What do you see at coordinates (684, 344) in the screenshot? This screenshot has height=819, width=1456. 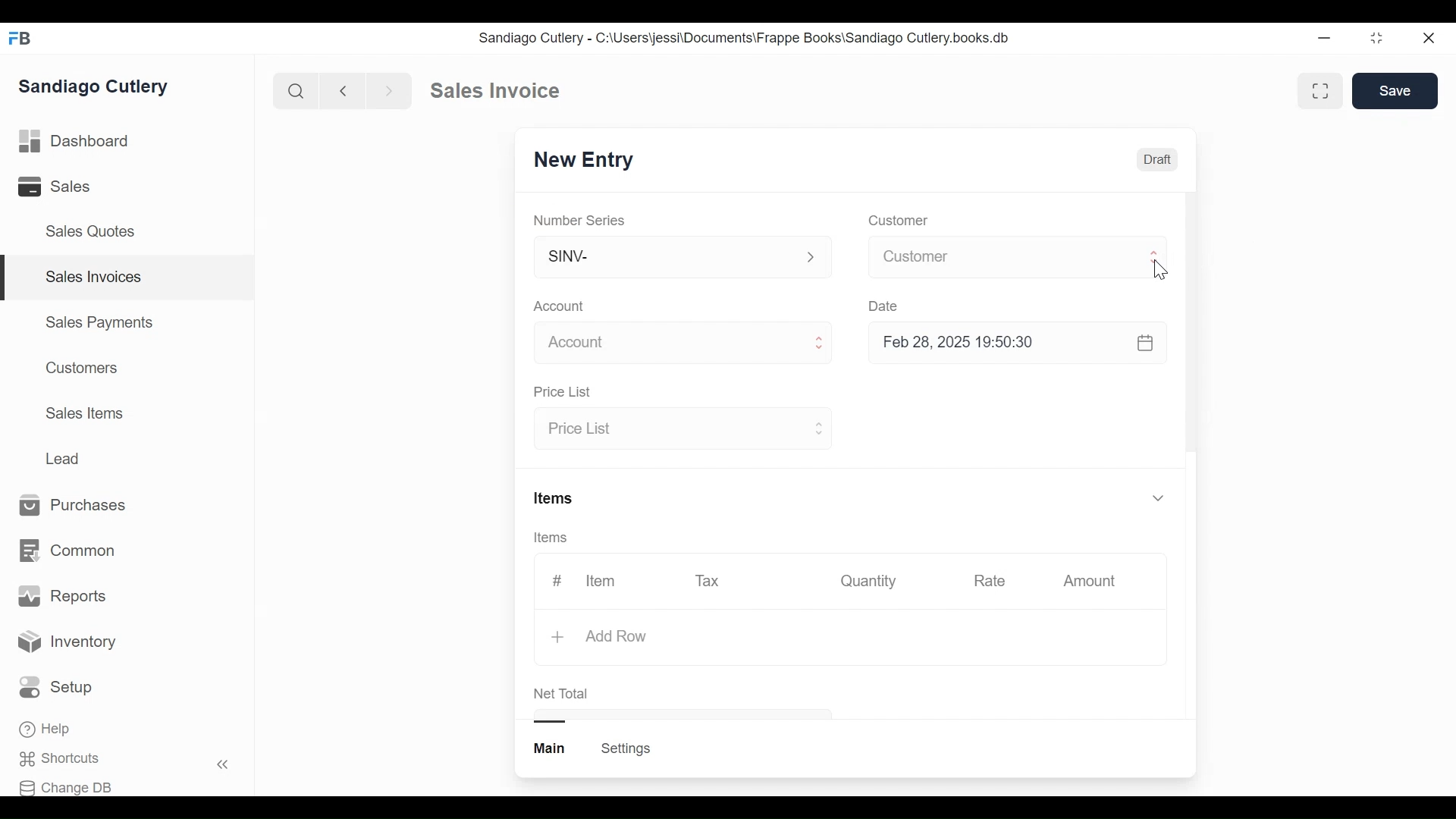 I see `Account p` at bounding box center [684, 344].